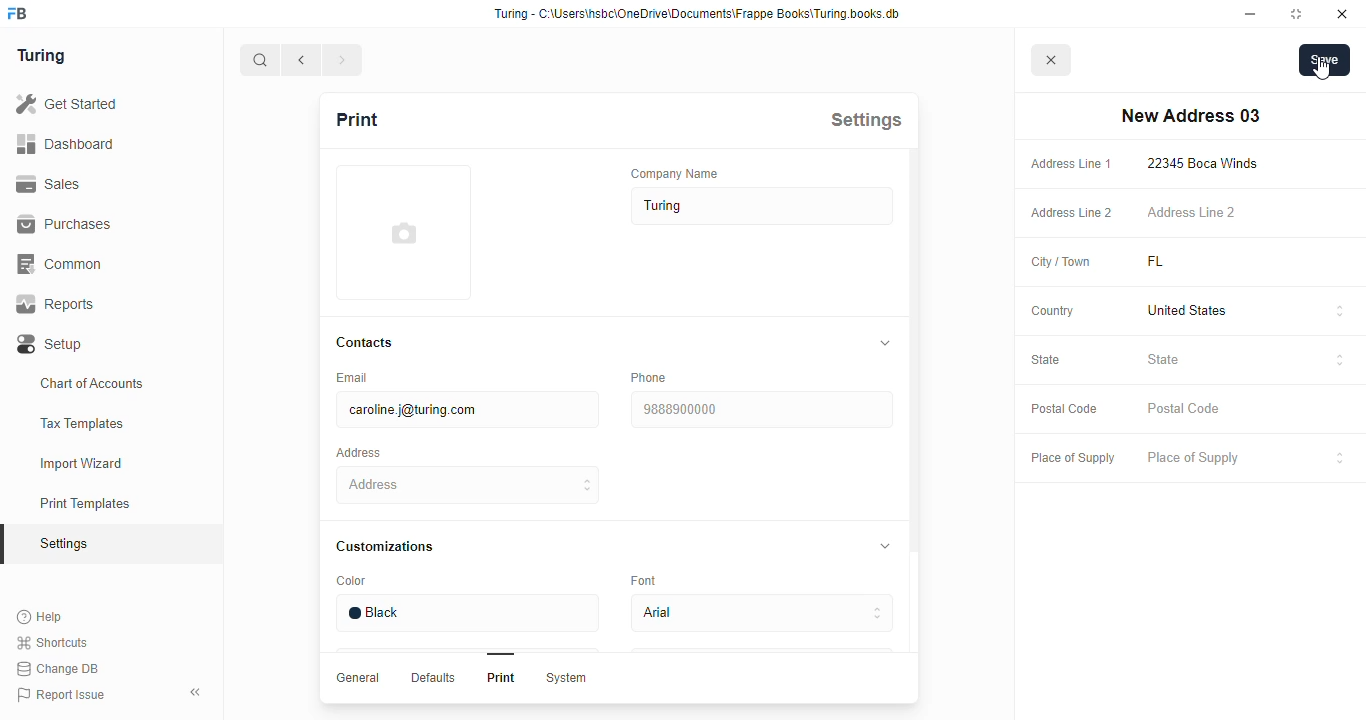 The height and width of the screenshot is (720, 1366). What do you see at coordinates (51, 345) in the screenshot?
I see `setup` at bounding box center [51, 345].